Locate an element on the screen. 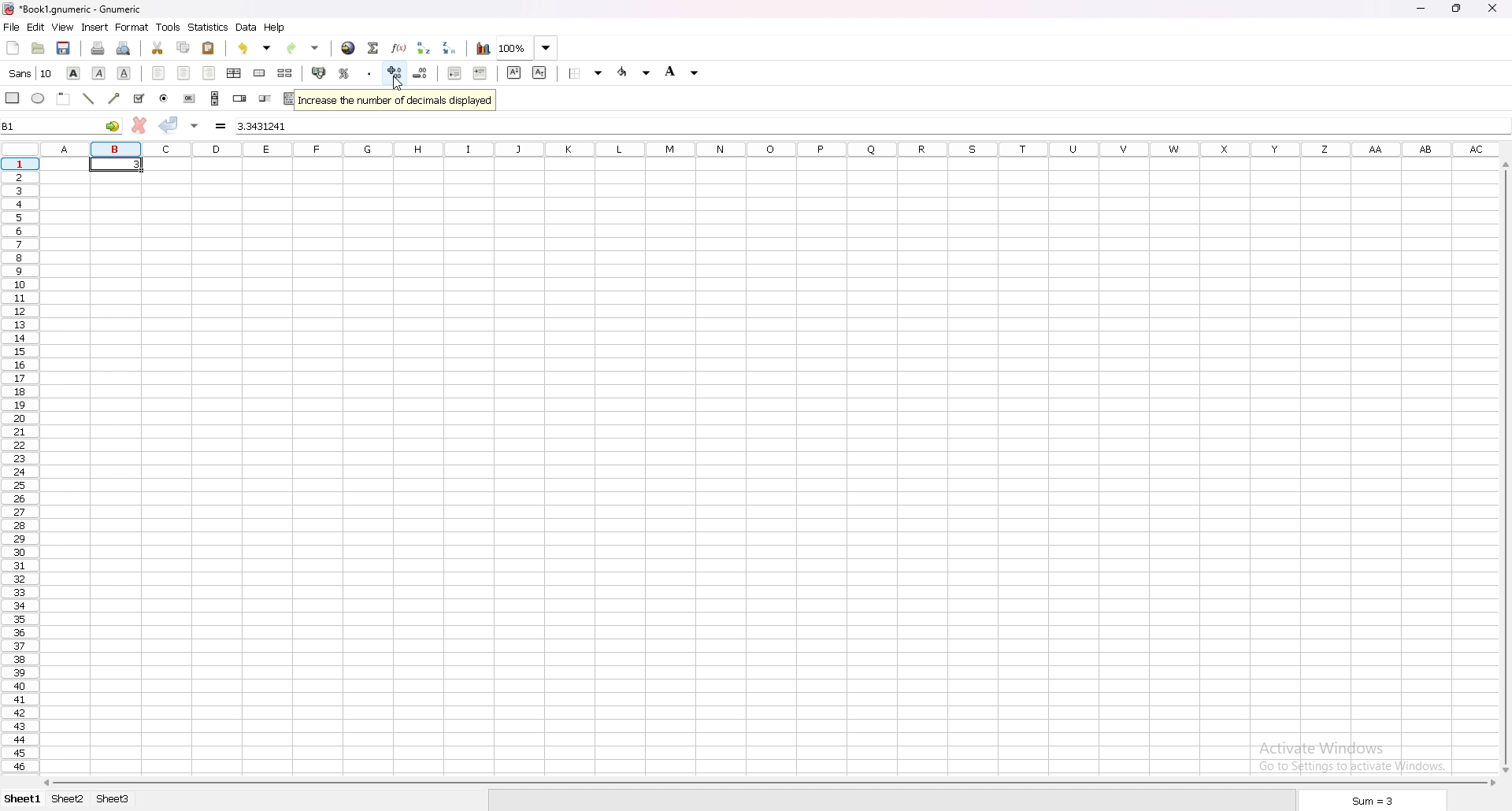 Image resolution: width=1512 pixels, height=811 pixels. font is located at coordinates (30, 72).